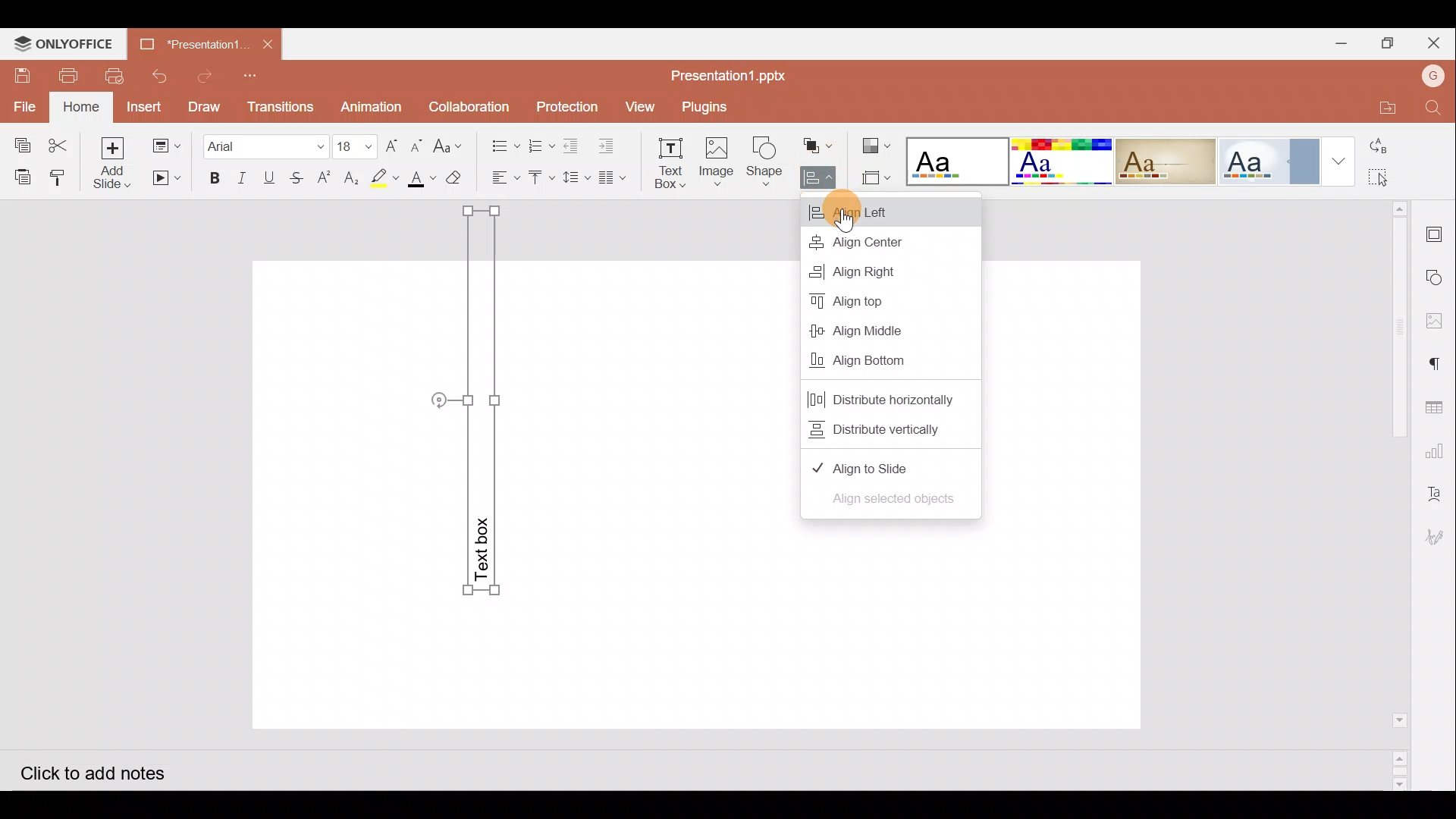  Describe the element at coordinates (372, 107) in the screenshot. I see `Animation` at that location.